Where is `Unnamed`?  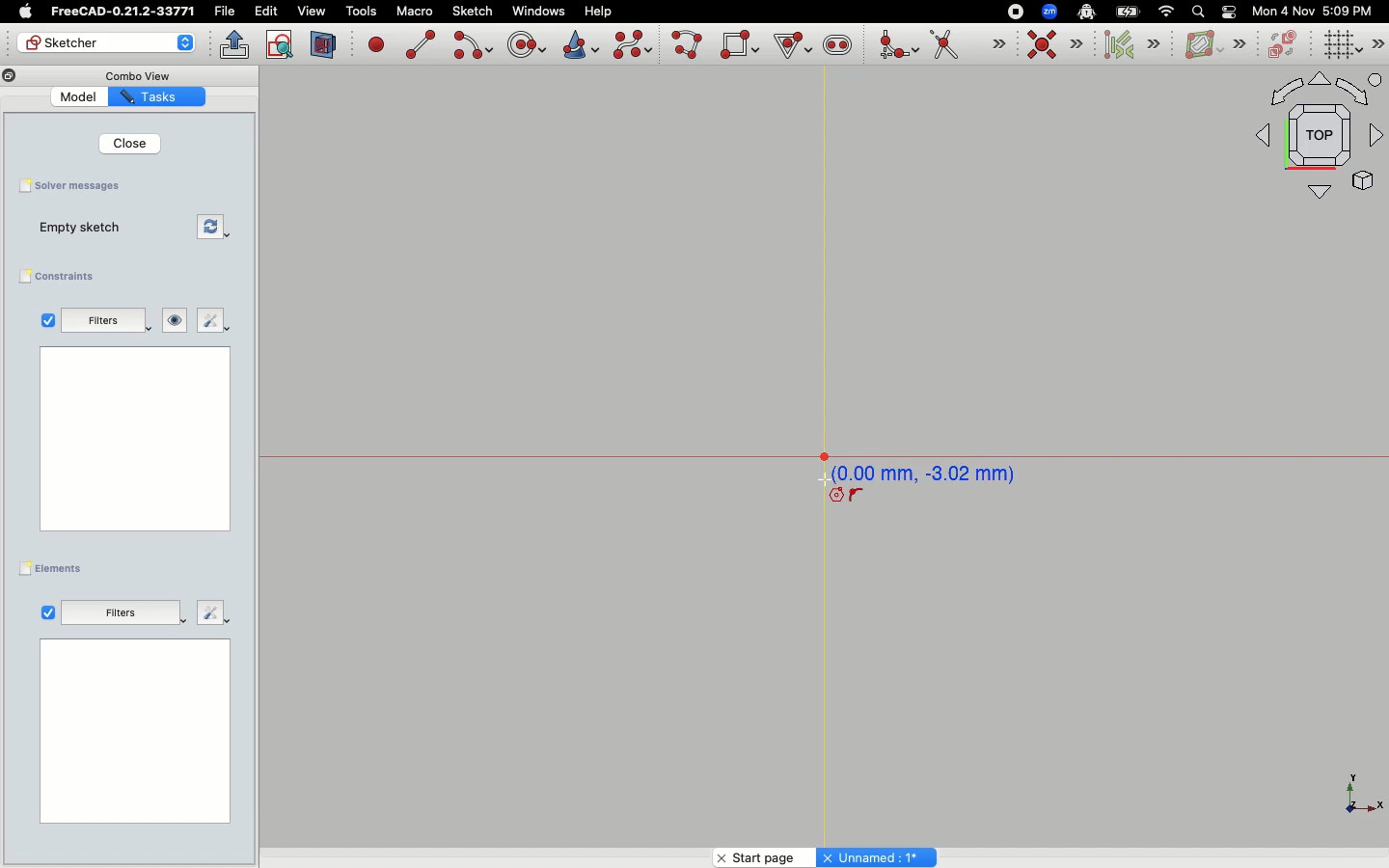
Unnamed is located at coordinates (879, 856).